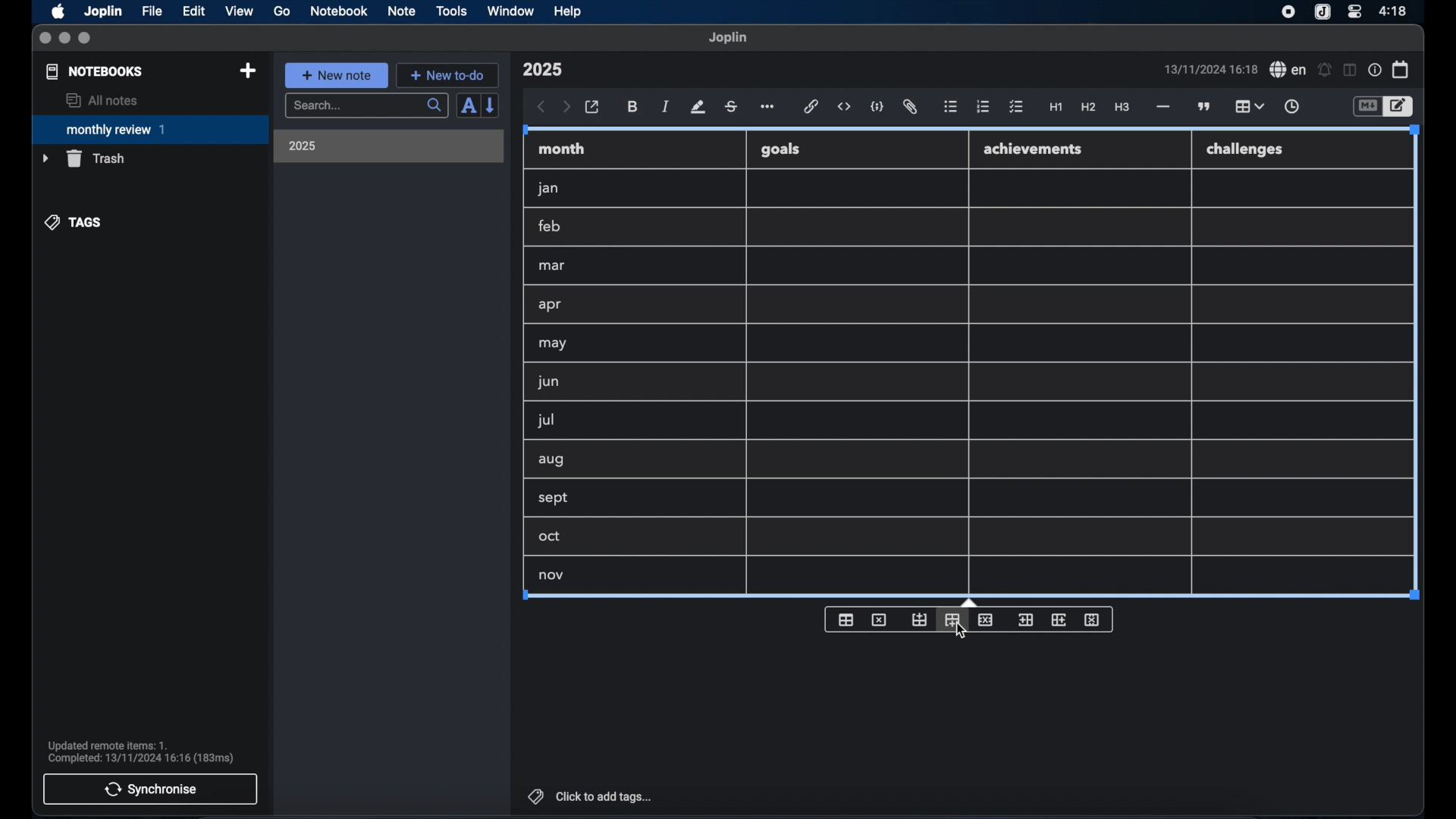 This screenshot has width=1456, height=819. Describe the element at coordinates (551, 538) in the screenshot. I see `oct` at that location.